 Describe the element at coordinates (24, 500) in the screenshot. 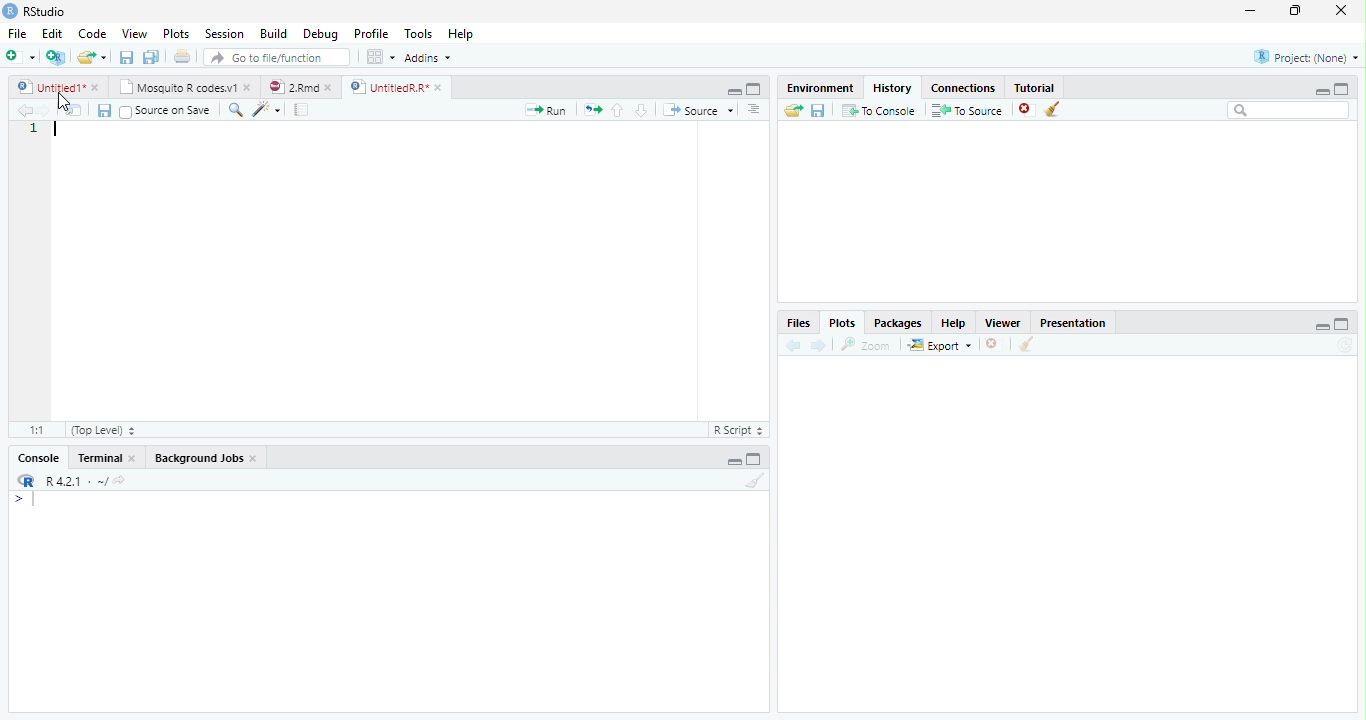

I see `New line` at that location.